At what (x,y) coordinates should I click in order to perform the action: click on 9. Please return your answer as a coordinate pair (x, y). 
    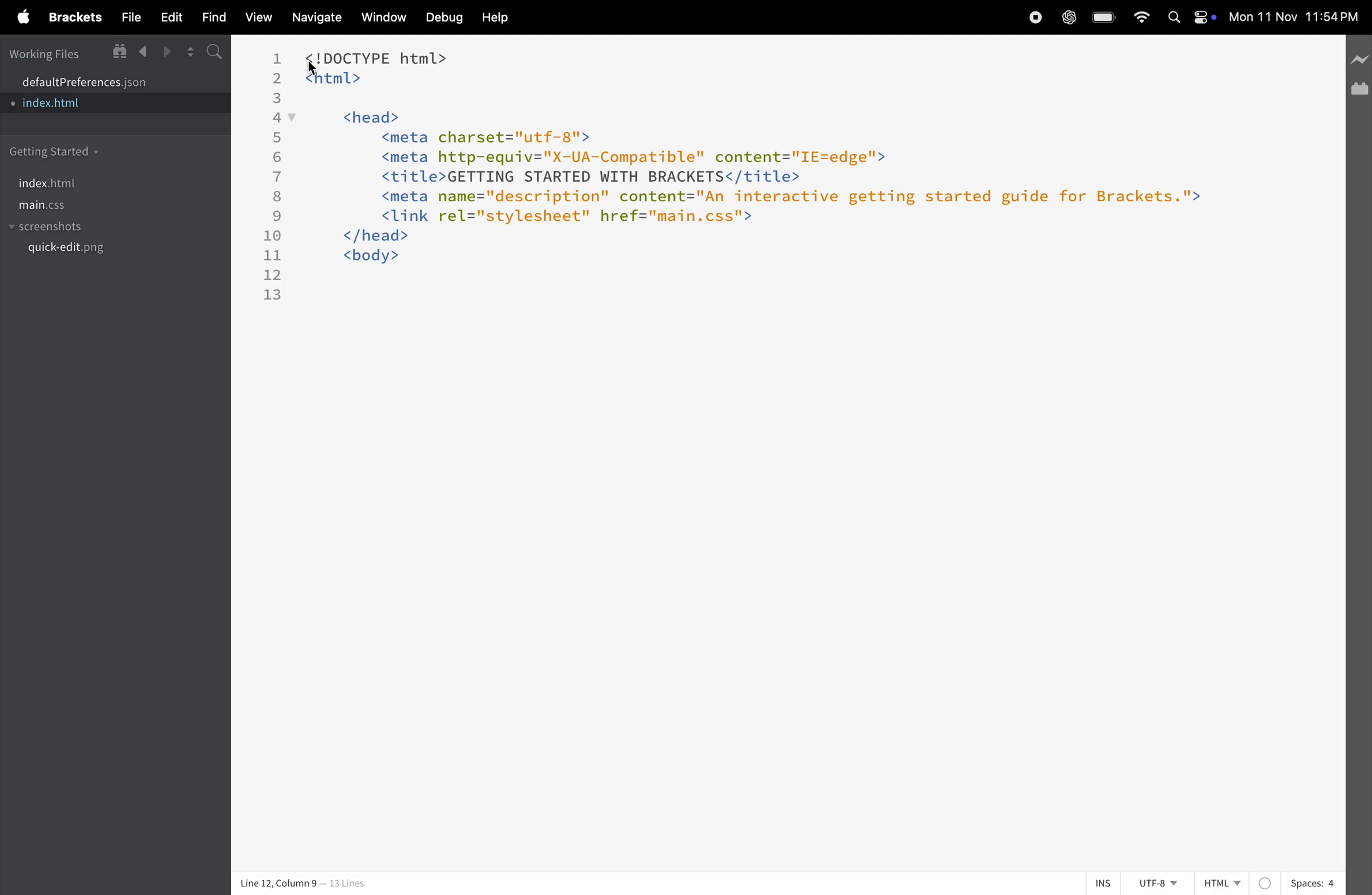
    Looking at the image, I should click on (278, 217).